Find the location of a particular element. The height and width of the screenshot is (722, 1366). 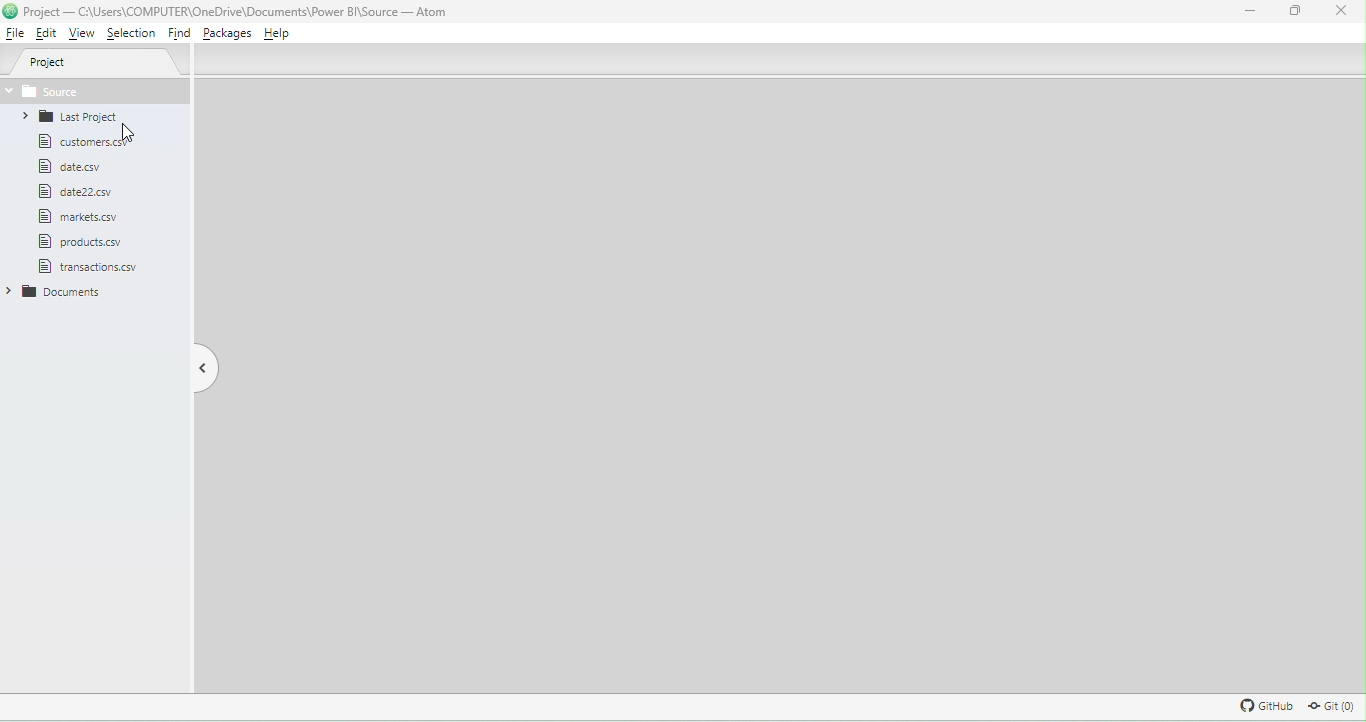

File is located at coordinates (95, 267).